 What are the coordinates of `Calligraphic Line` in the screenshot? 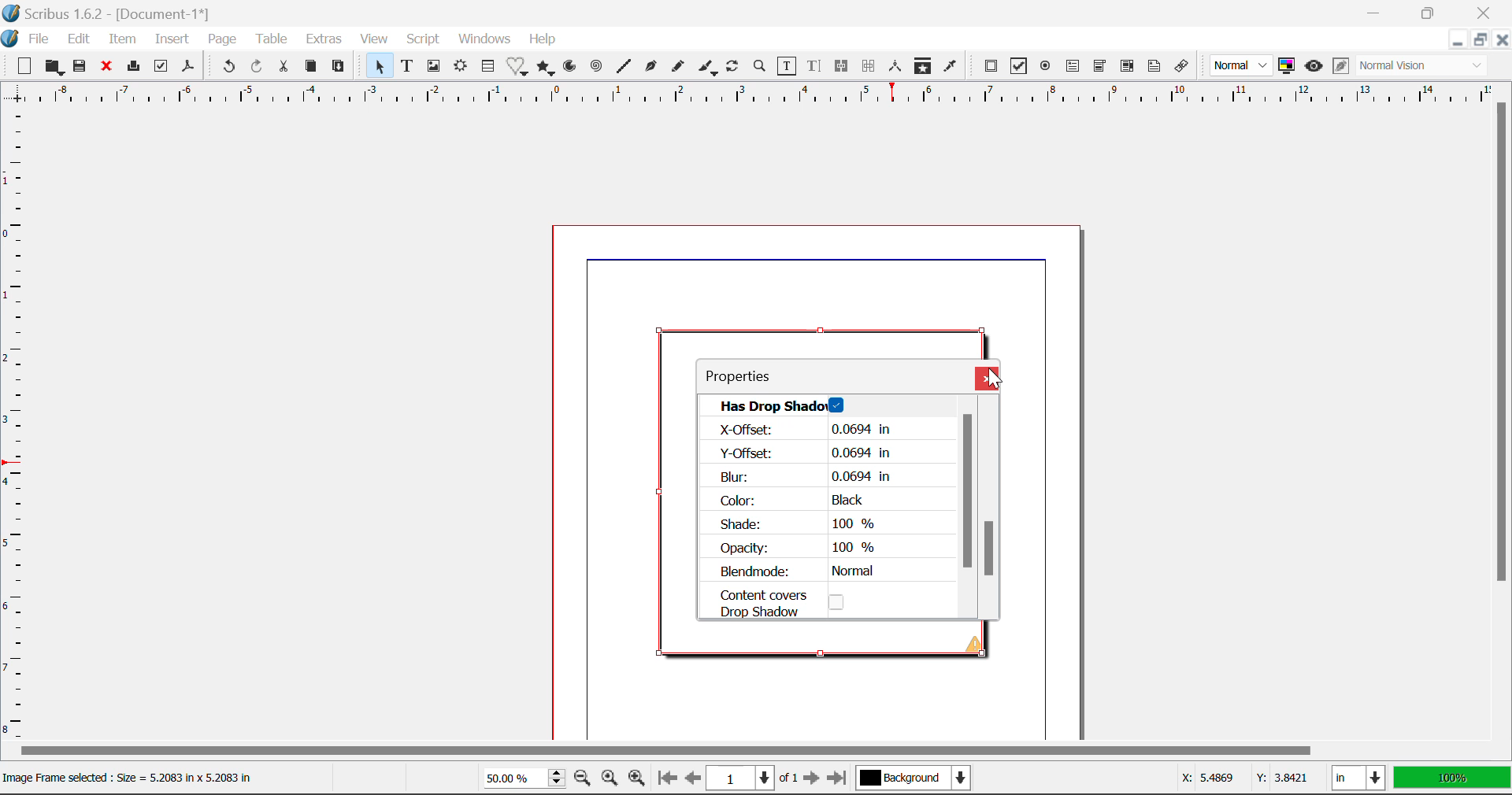 It's located at (709, 69).